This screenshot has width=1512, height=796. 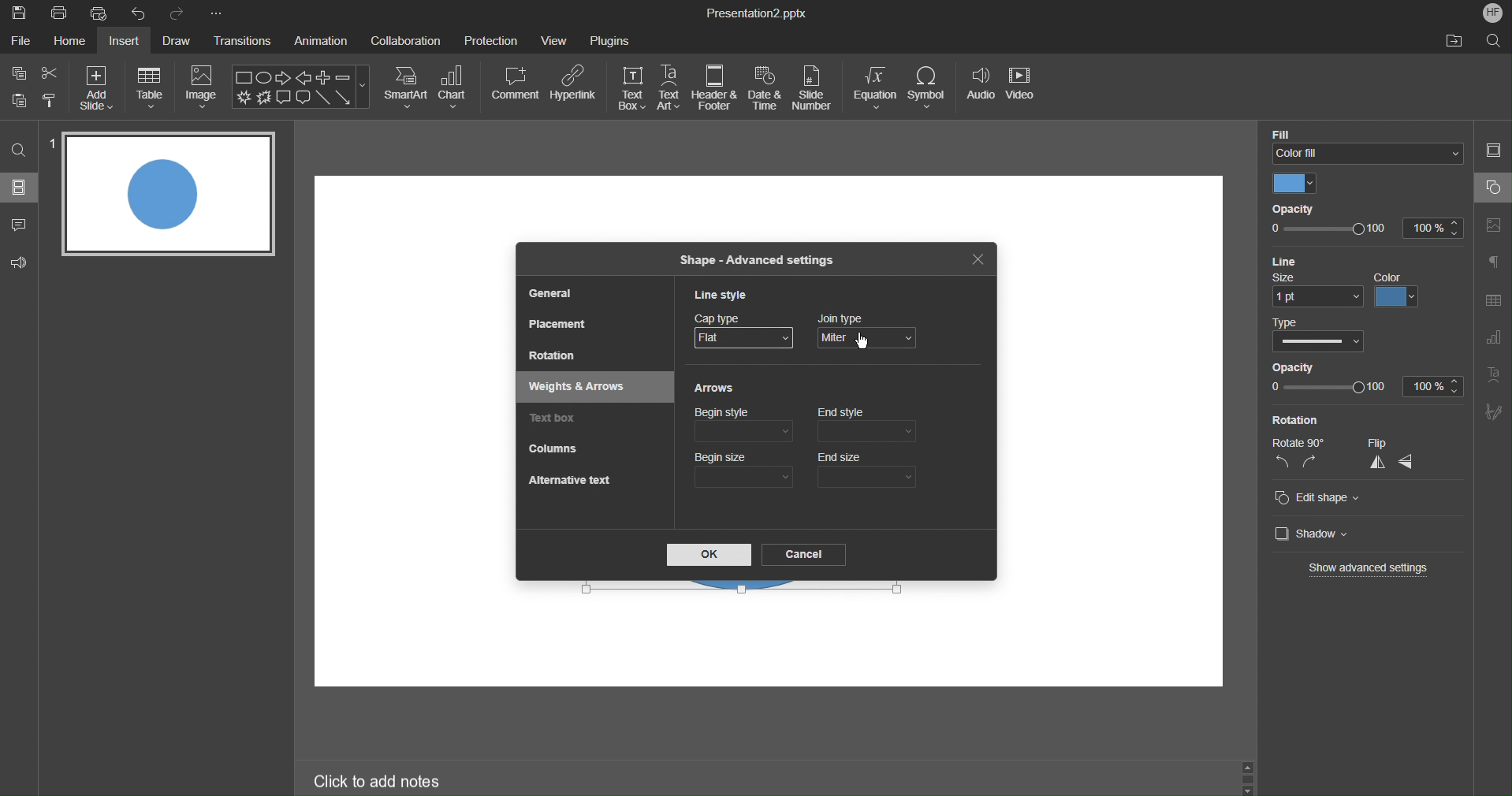 I want to click on Quick Print, so click(x=103, y=14).